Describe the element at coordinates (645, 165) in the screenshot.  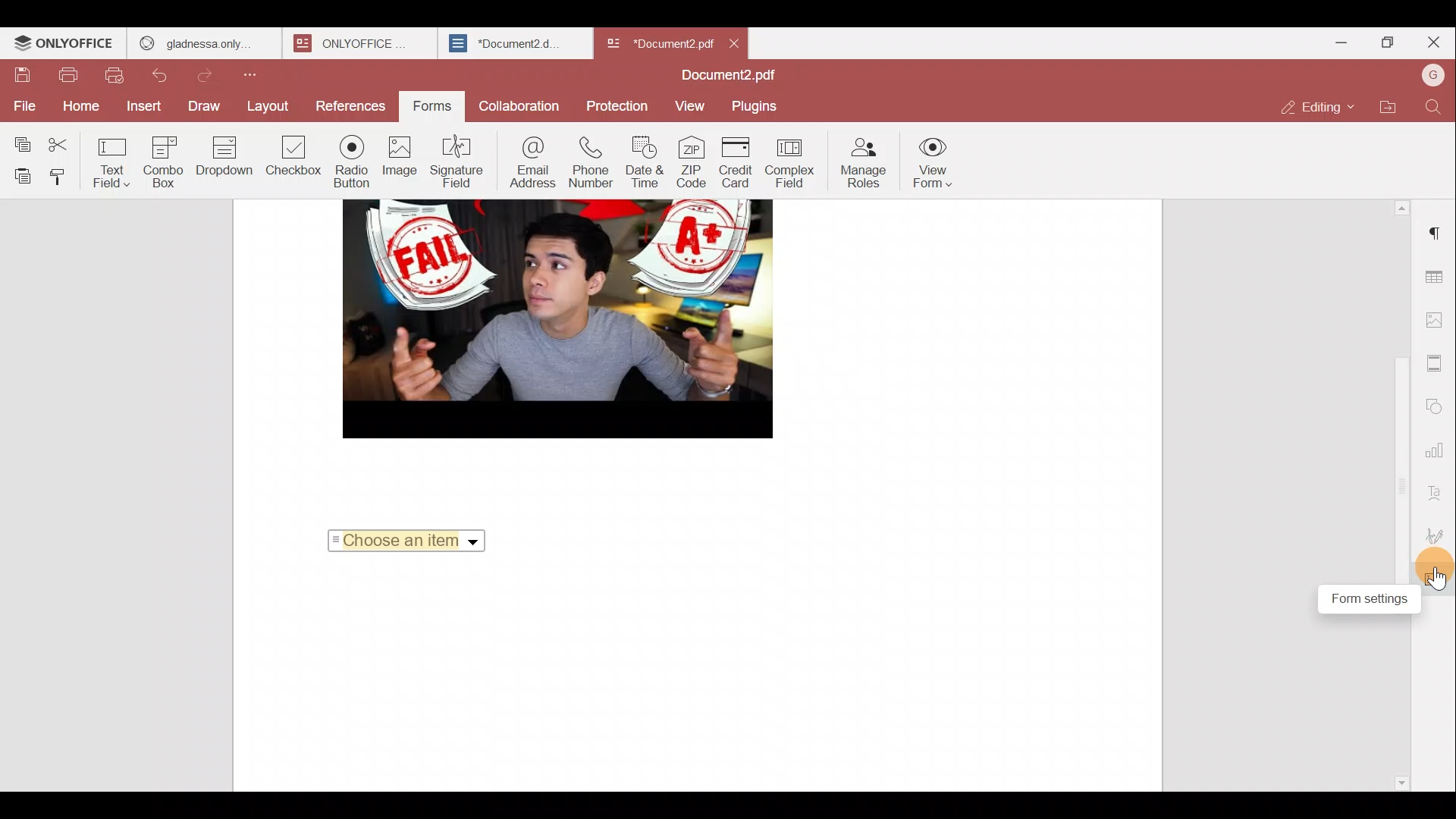
I see `Date & time` at that location.